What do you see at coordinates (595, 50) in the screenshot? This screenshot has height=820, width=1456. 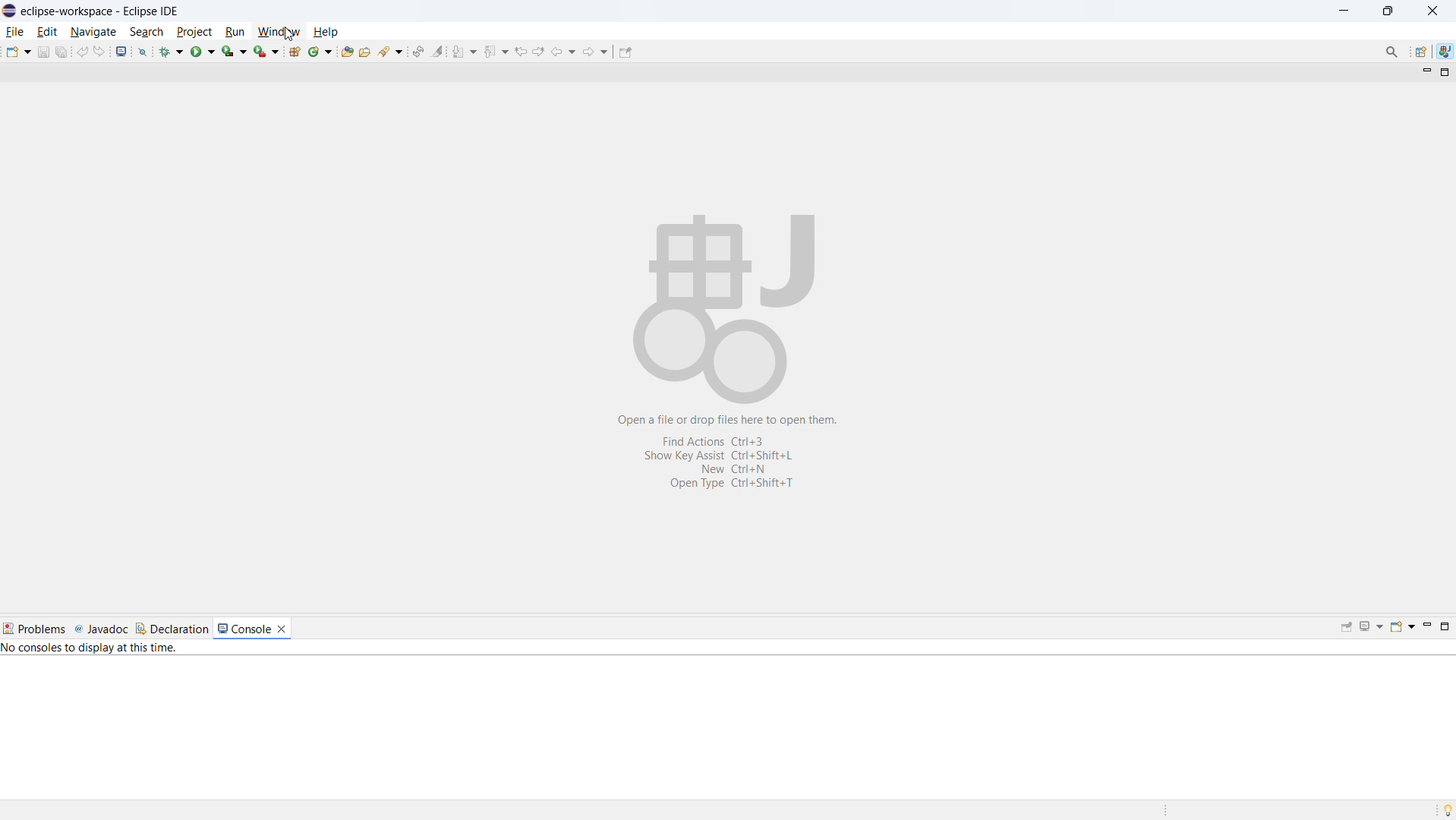 I see `forward` at bounding box center [595, 50].